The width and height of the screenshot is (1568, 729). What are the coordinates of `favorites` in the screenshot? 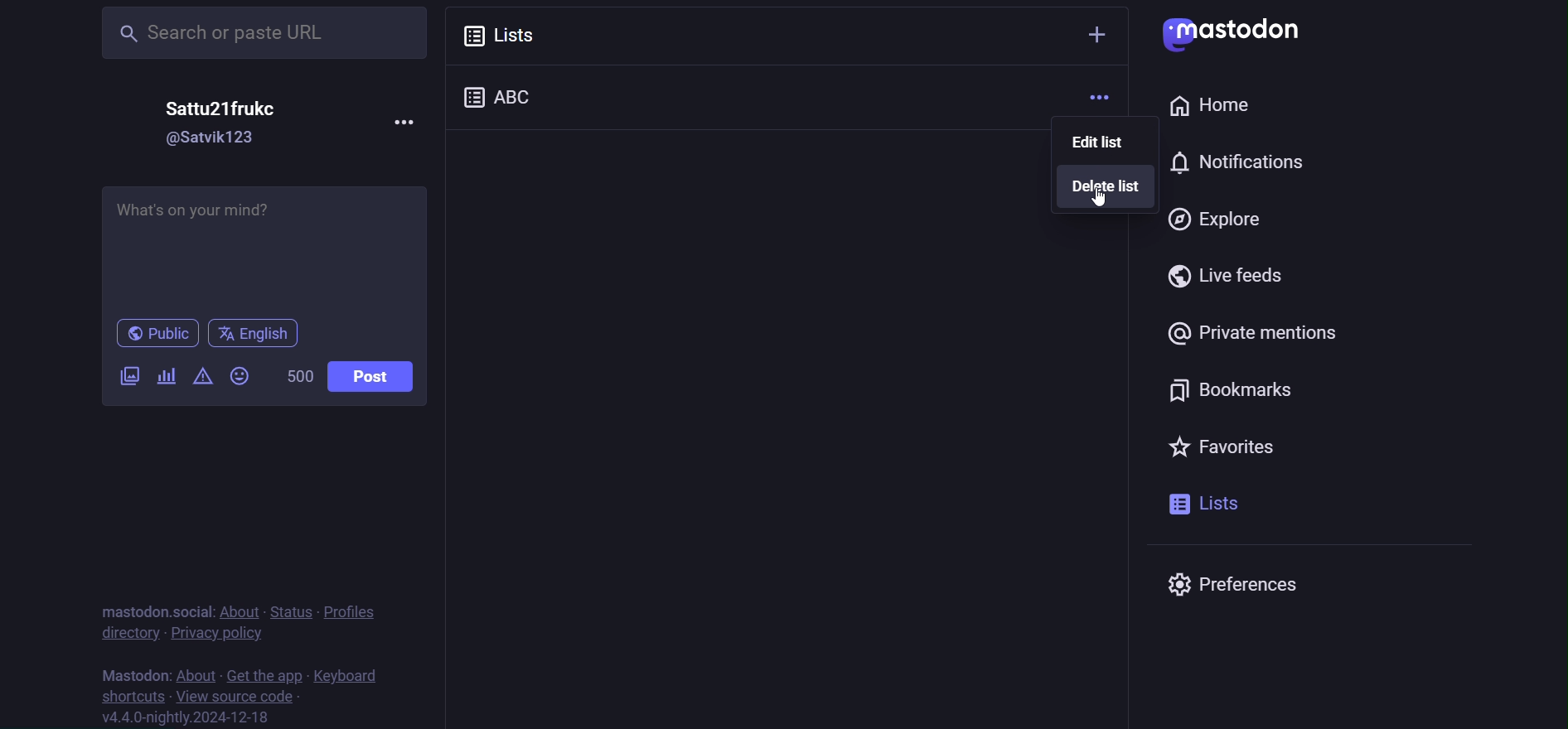 It's located at (1219, 444).